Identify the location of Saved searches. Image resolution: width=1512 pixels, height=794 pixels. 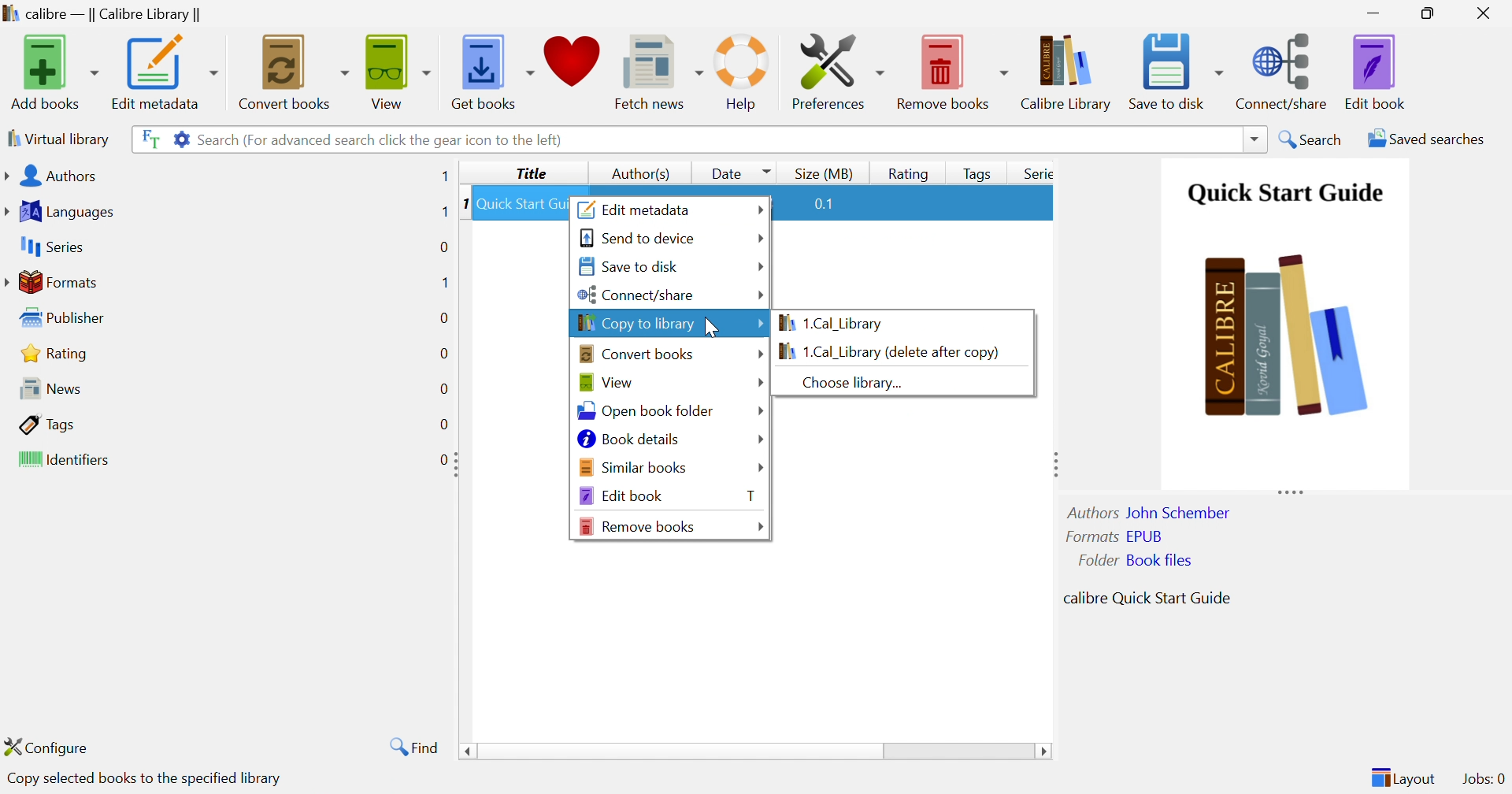
(1423, 139).